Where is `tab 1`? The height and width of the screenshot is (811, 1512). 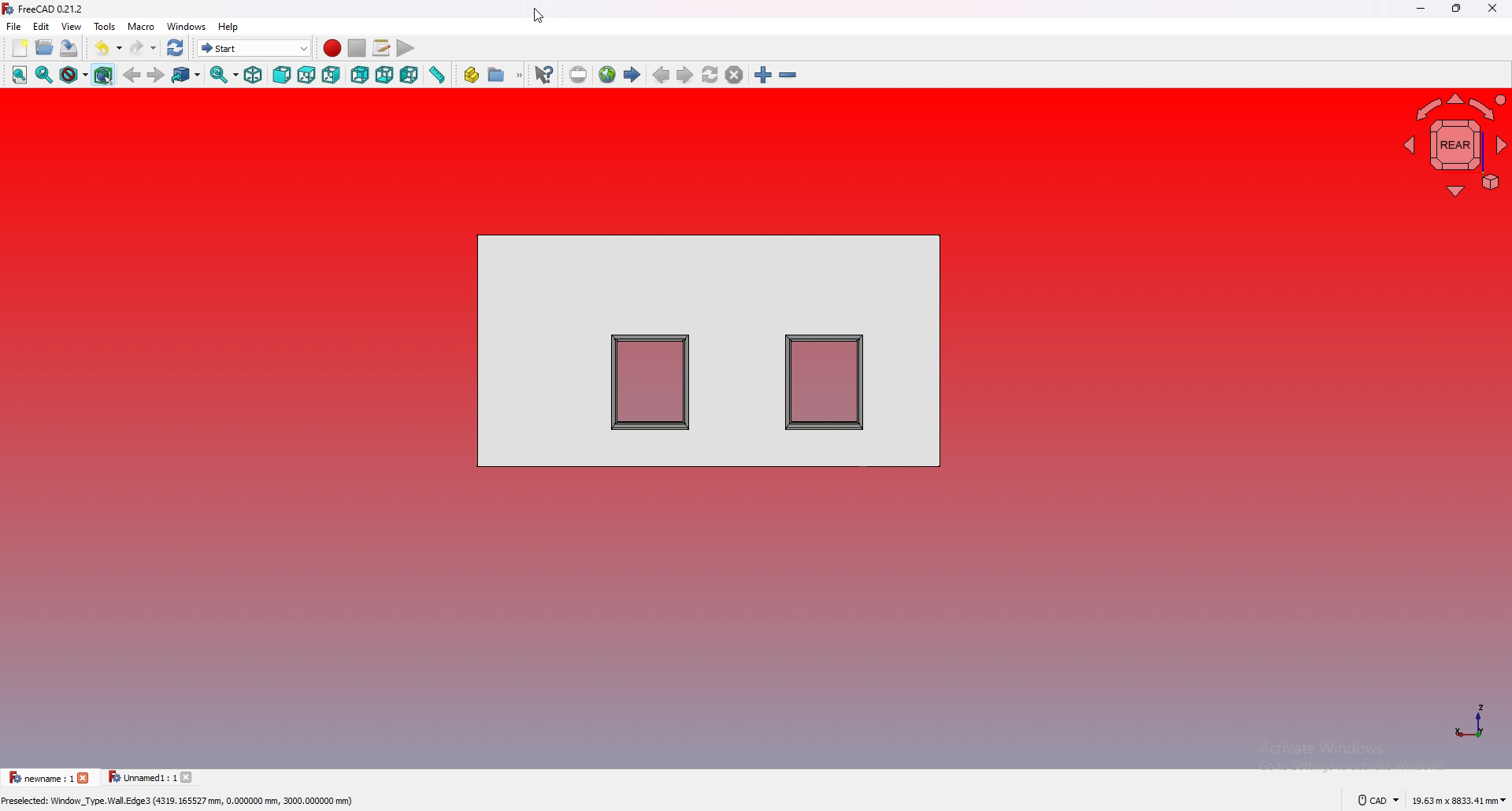
tab 1 is located at coordinates (47, 777).